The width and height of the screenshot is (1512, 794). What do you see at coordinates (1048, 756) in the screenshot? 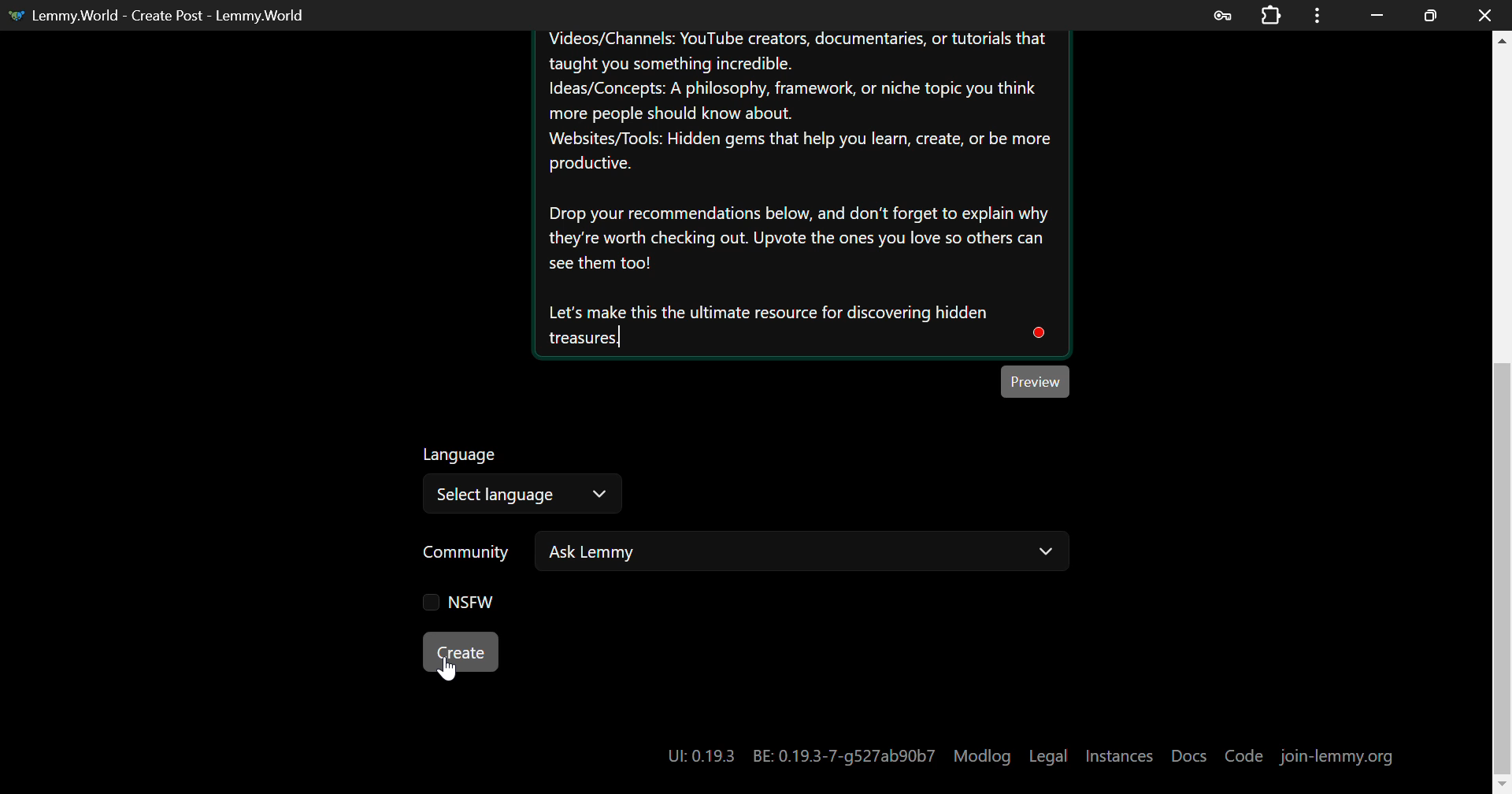
I see `Legal` at bounding box center [1048, 756].